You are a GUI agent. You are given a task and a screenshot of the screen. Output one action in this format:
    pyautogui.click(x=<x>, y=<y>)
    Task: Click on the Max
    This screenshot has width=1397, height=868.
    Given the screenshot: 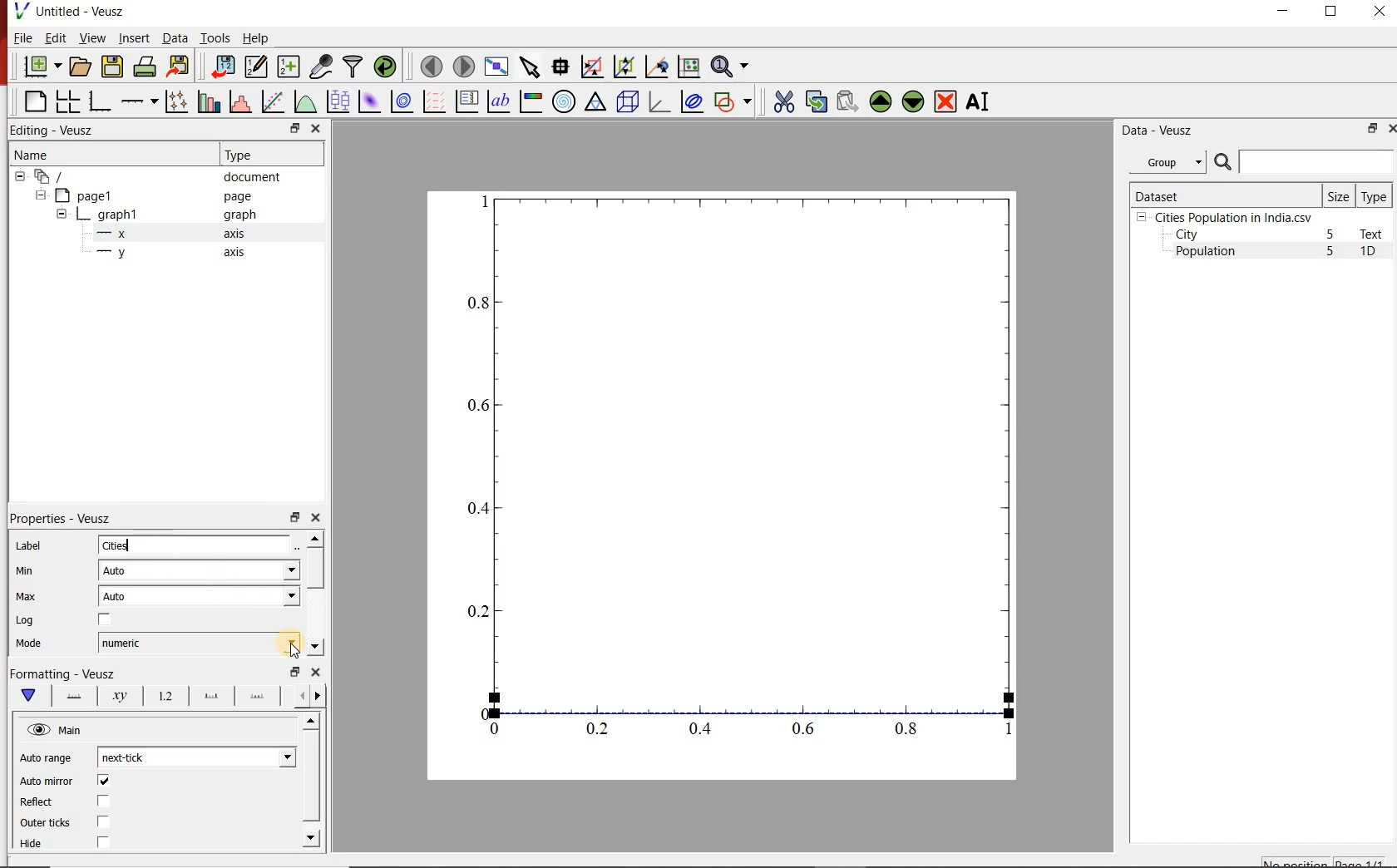 What is the action you would take?
    pyautogui.click(x=25, y=596)
    